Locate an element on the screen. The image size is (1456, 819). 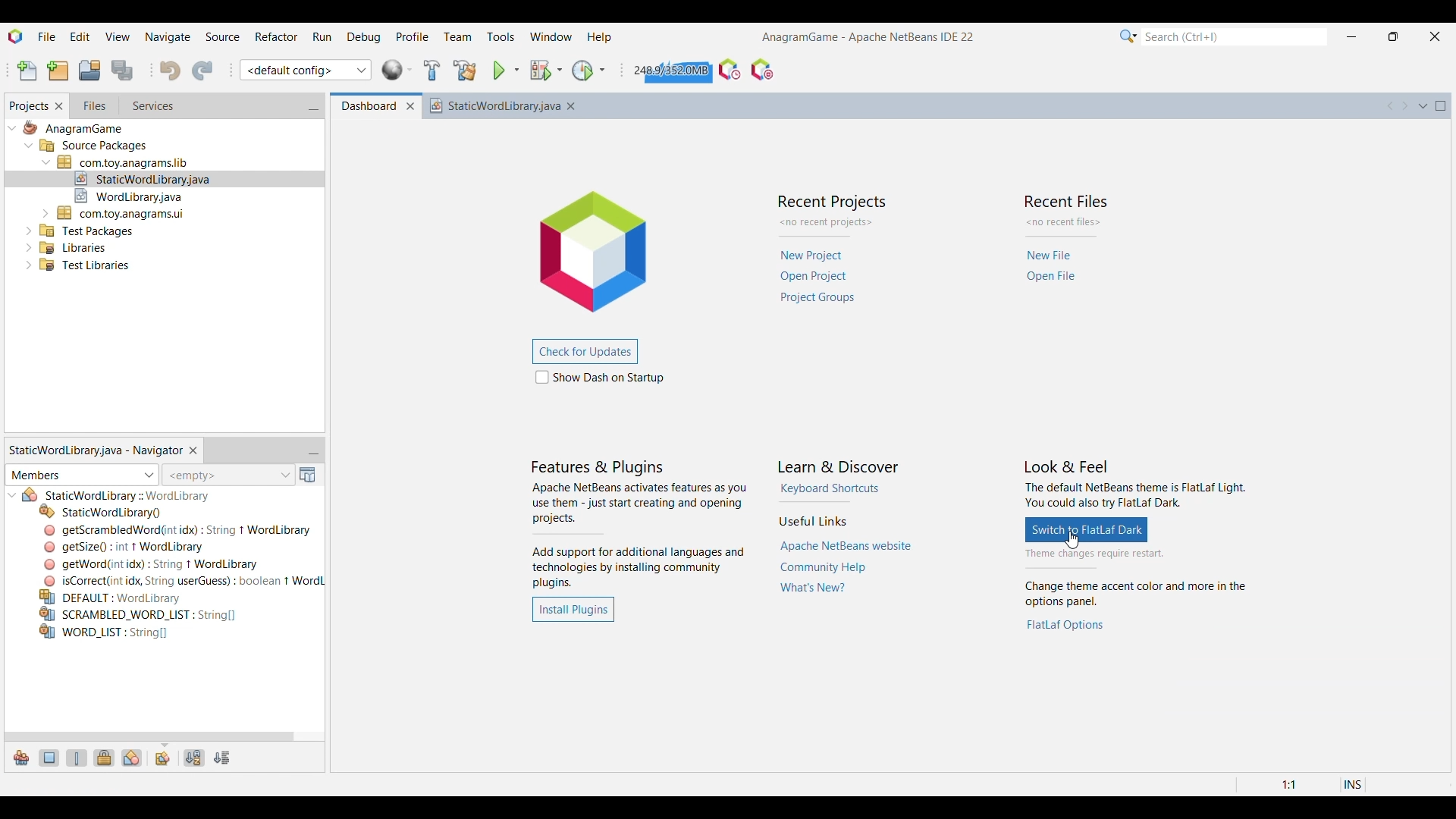
Refactor menu is located at coordinates (276, 36).